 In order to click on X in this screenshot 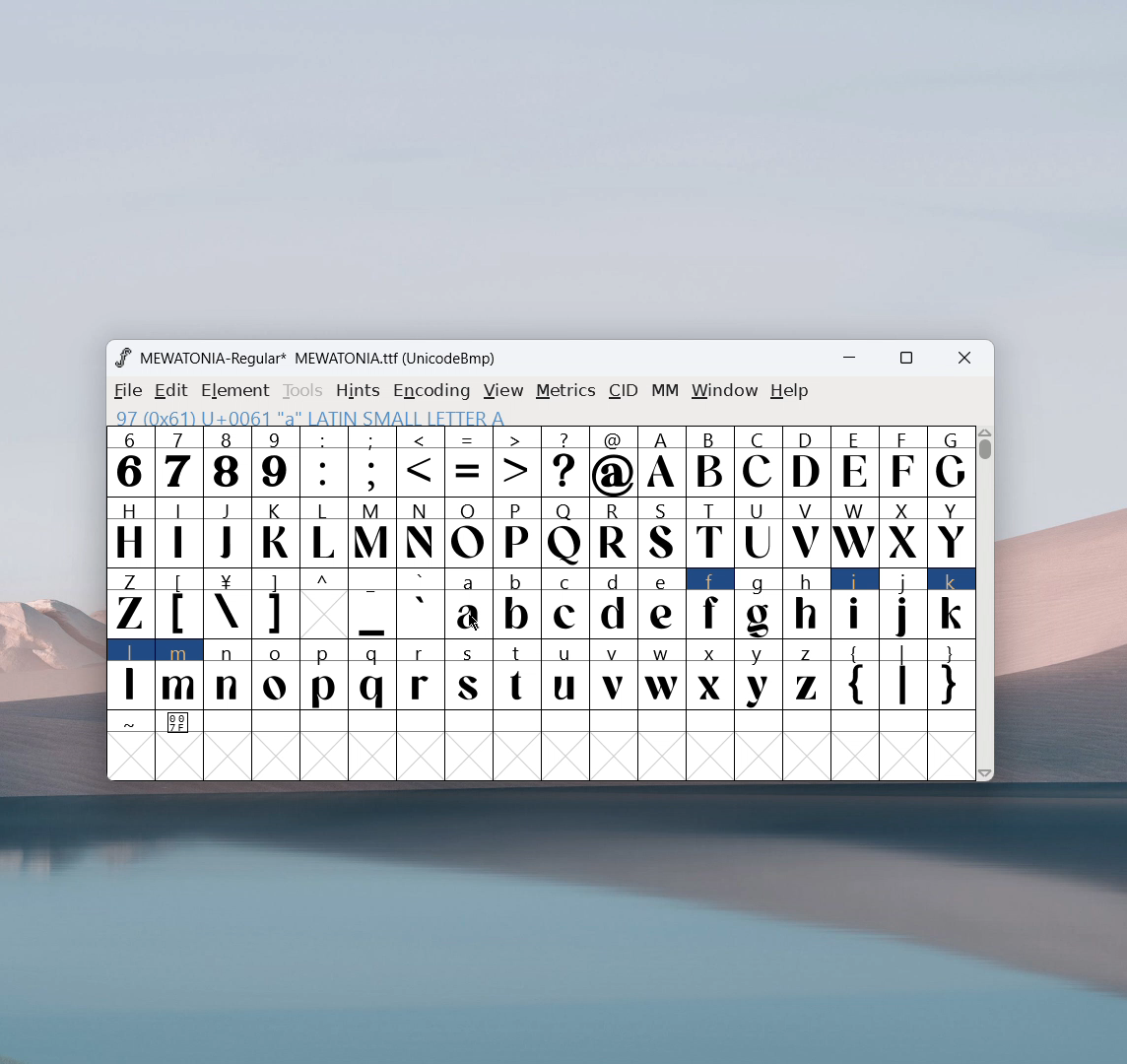, I will do `click(903, 531)`.